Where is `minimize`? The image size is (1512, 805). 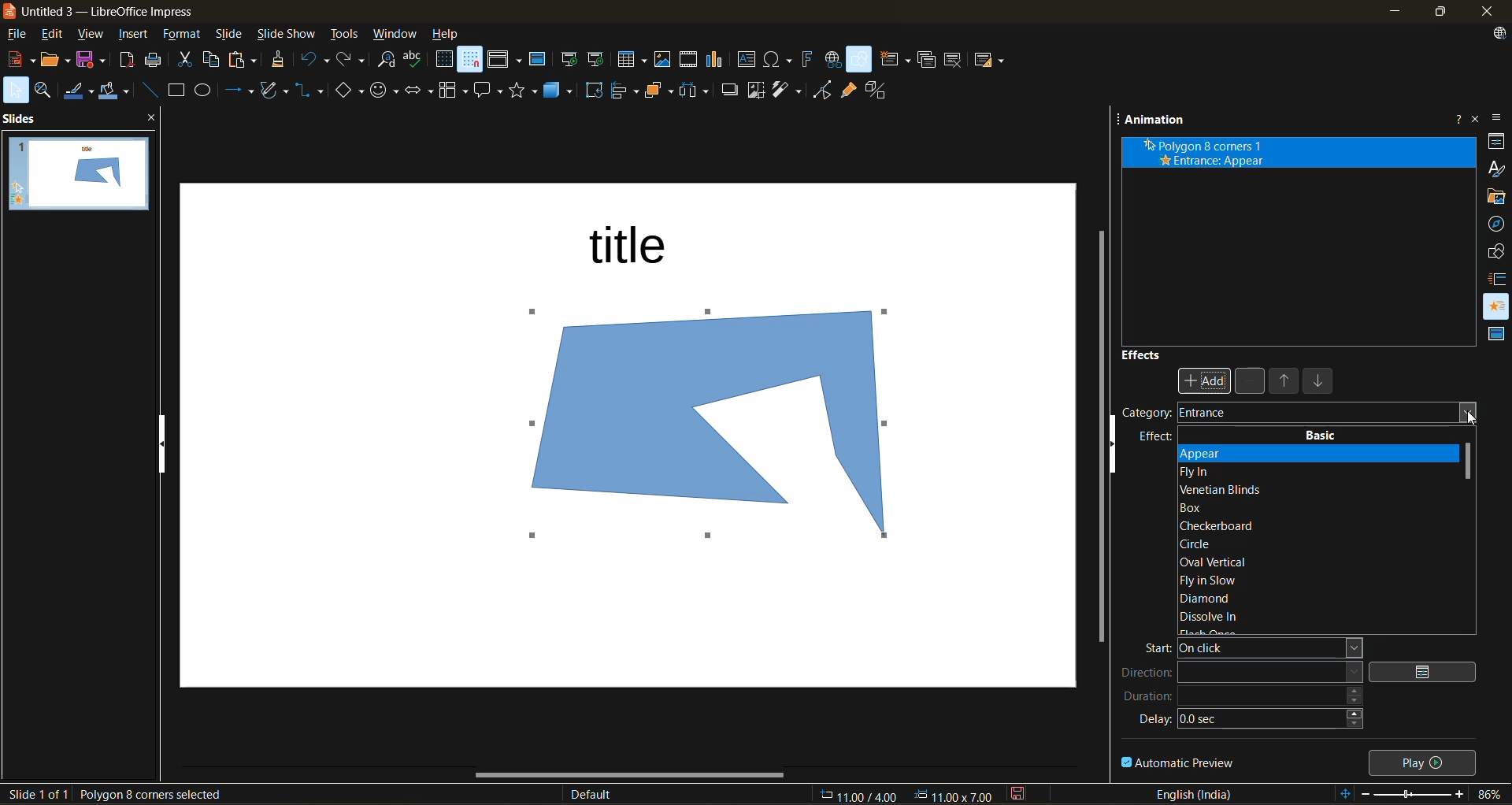
minimize is located at coordinates (1392, 13).